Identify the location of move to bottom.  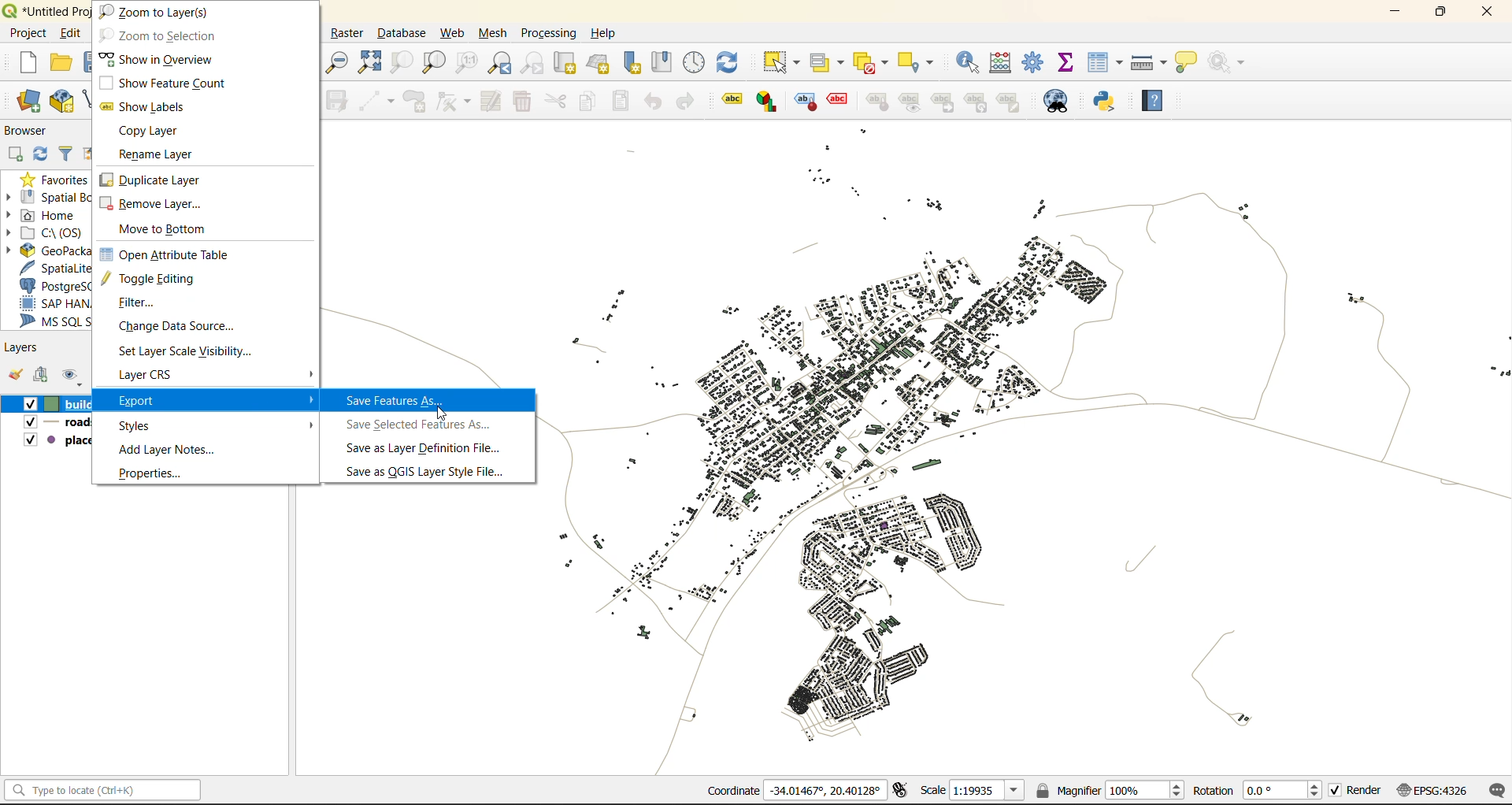
(167, 228).